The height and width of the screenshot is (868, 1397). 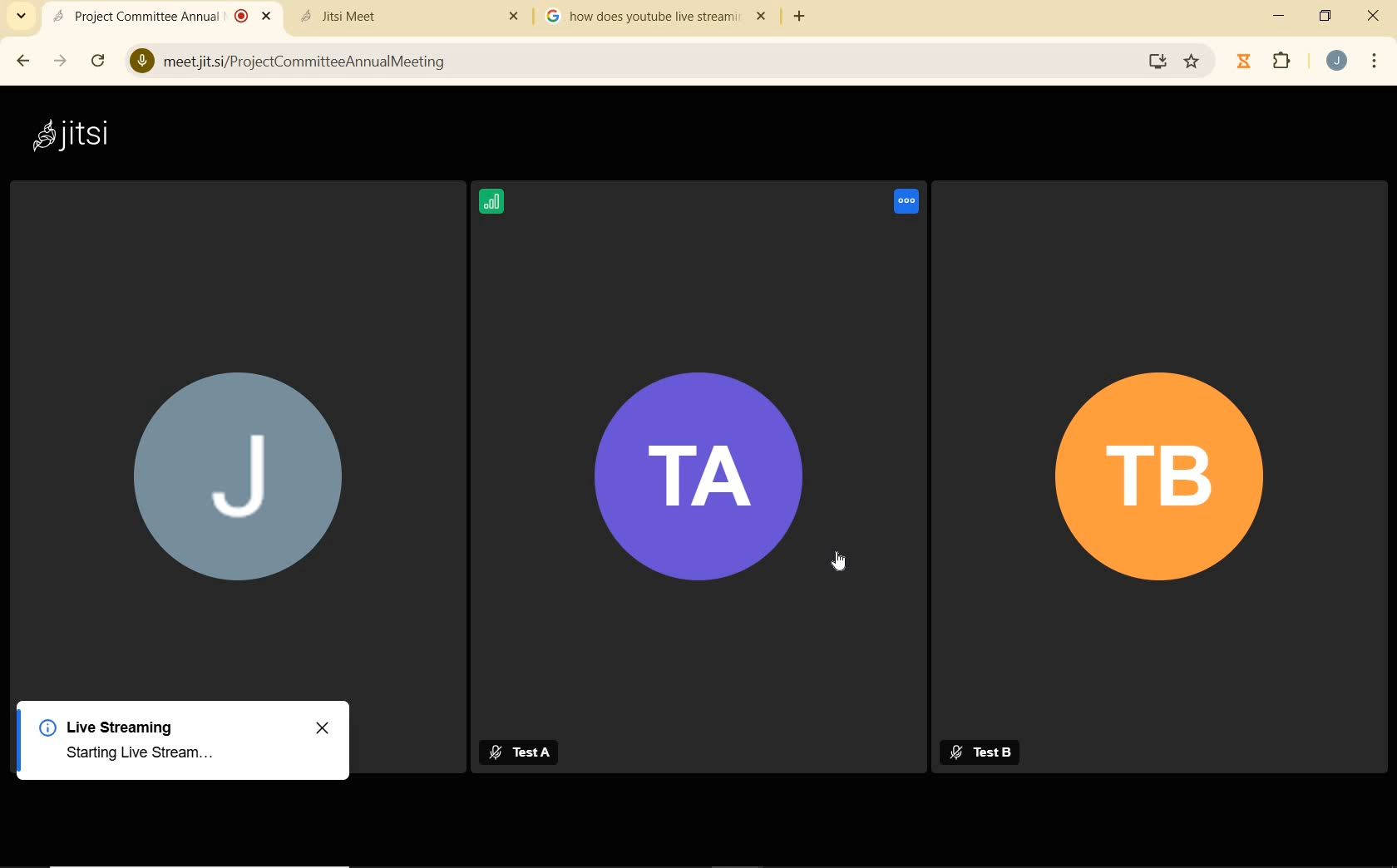 I want to click on Bookmark , so click(x=1192, y=62).